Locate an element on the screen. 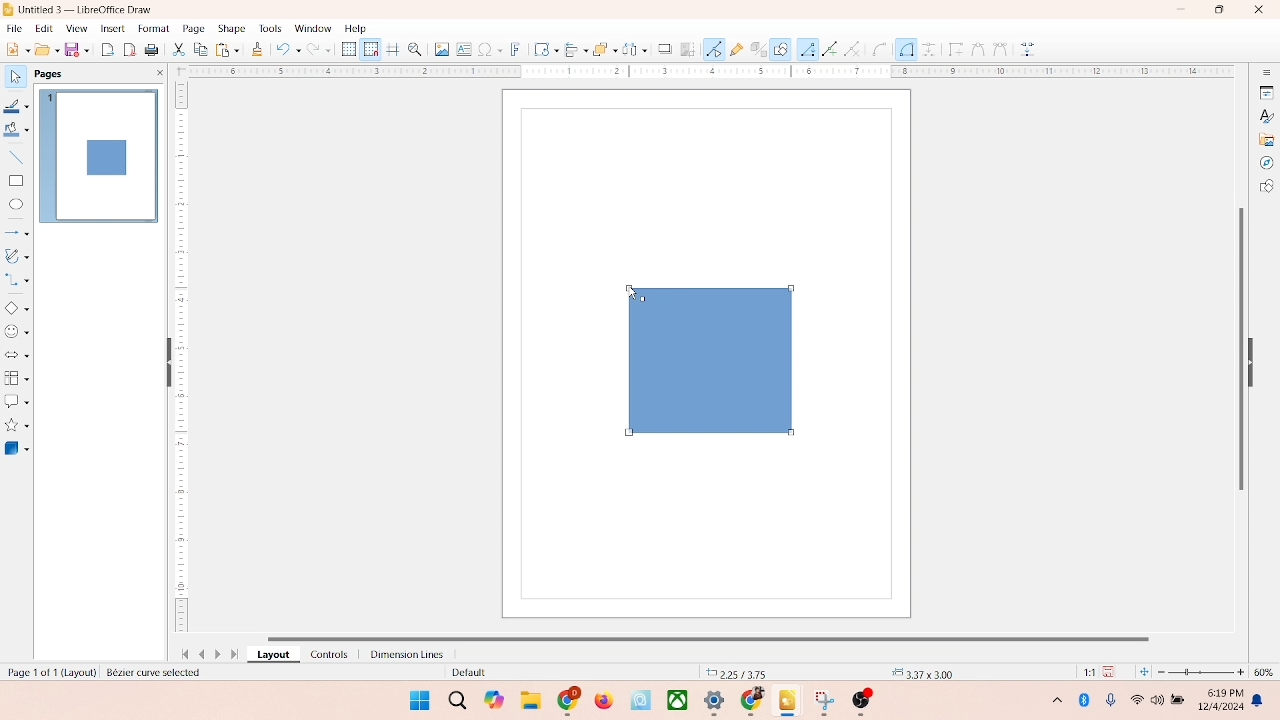 The width and height of the screenshot is (1280, 720). image is located at coordinates (439, 49).